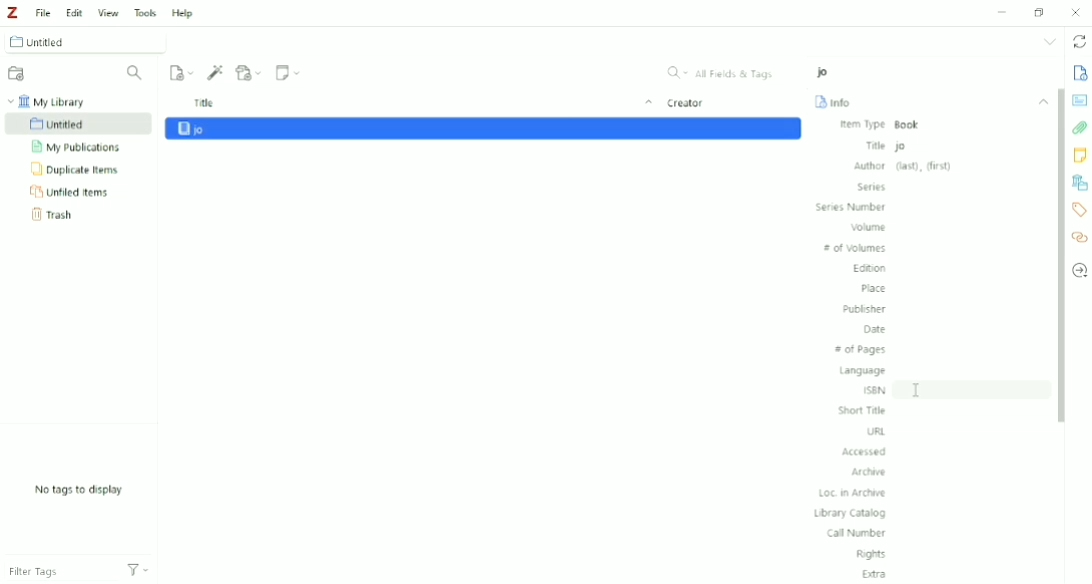 Image resolution: width=1092 pixels, height=584 pixels. Describe the element at coordinates (180, 72) in the screenshot. I see `New Item` at that location.